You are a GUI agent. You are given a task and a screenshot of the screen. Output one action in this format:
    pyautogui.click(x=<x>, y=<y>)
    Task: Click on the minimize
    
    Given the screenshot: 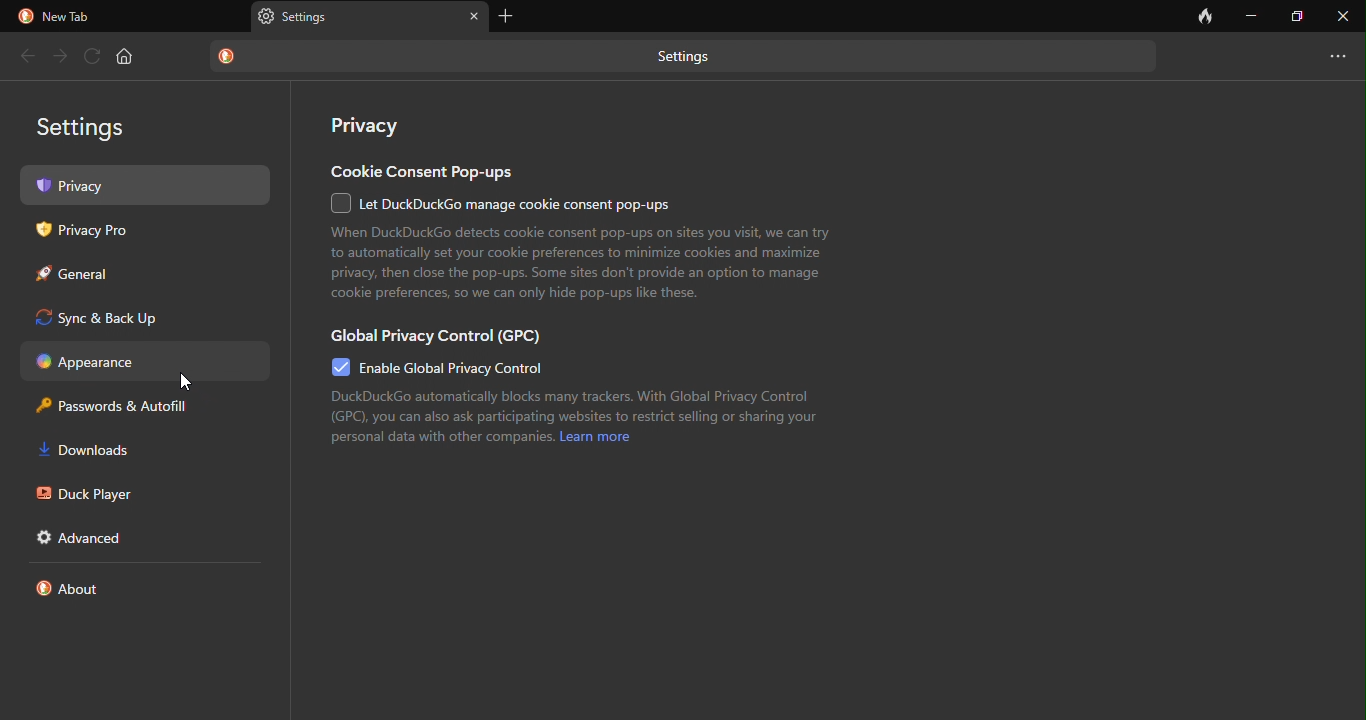 What is the action you would take?
    pyautogui.click(x=1252, y=14)
    